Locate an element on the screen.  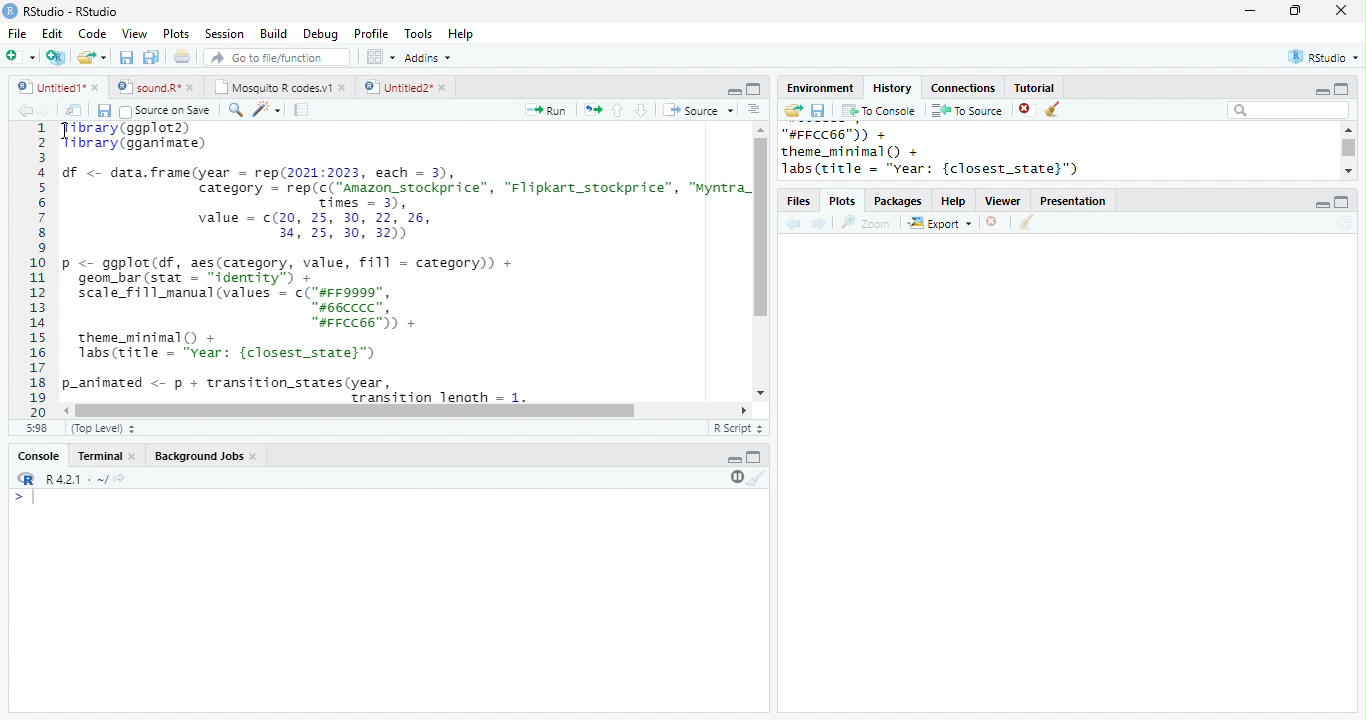
Mosquito R codes.v1 is located at coordinates (273, 87).